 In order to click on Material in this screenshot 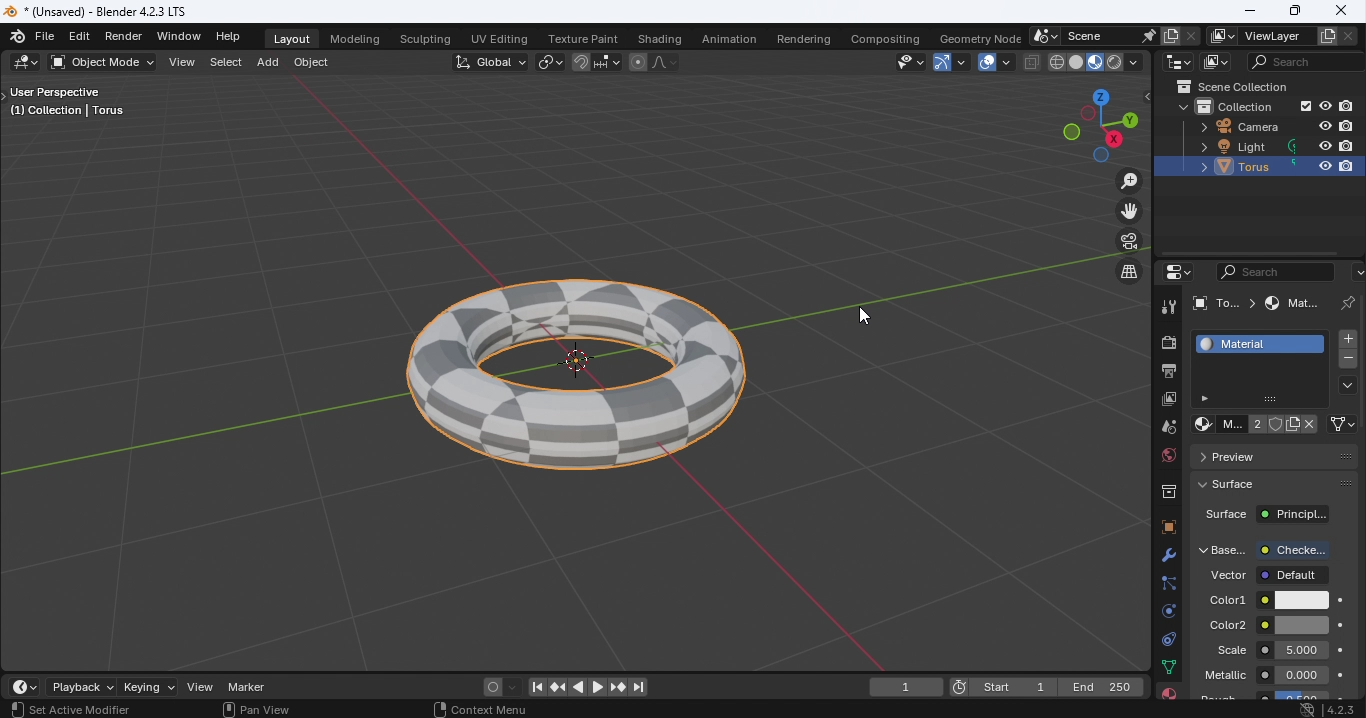, I will do `click(1261, 343)`.